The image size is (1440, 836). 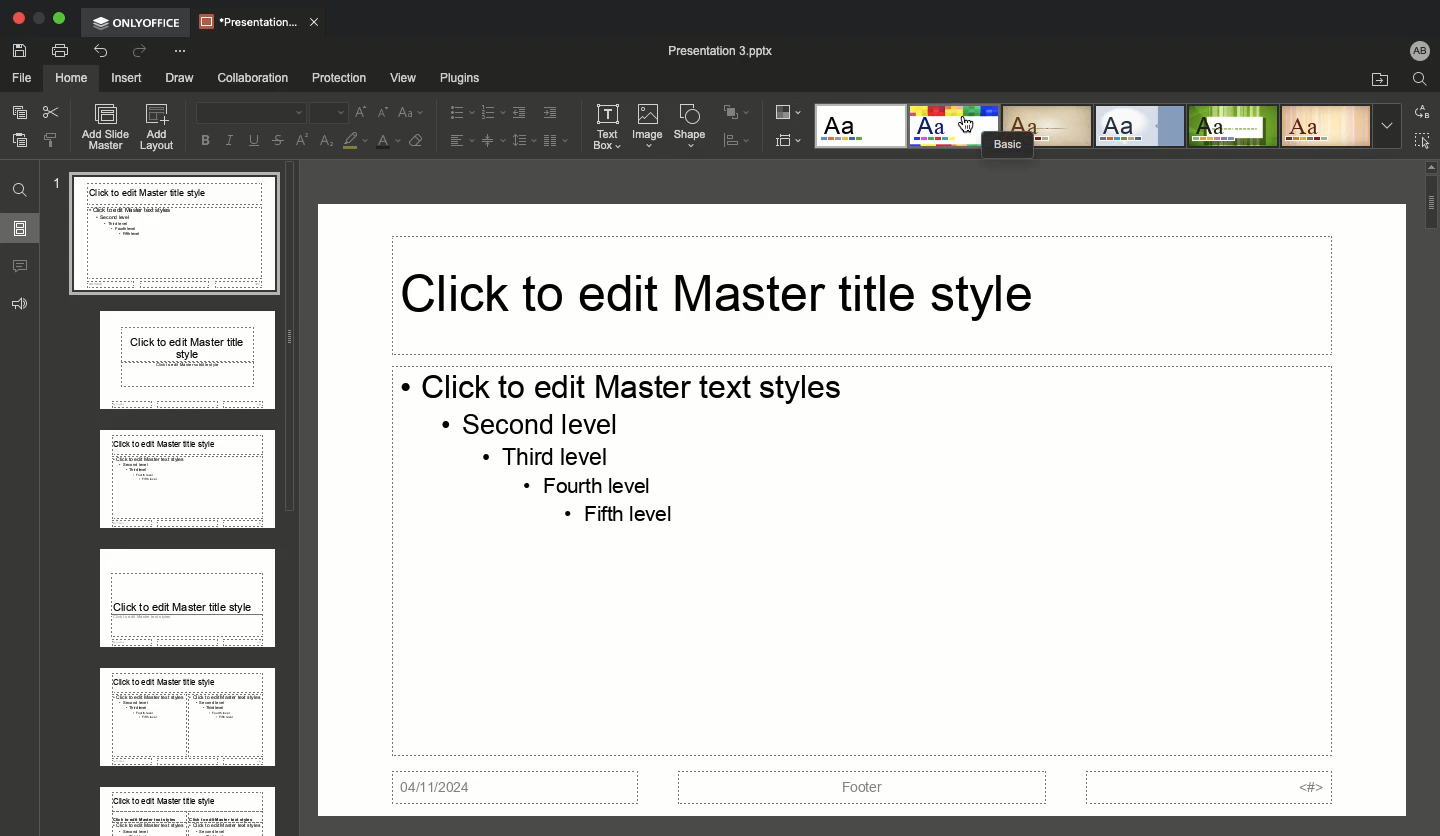 I want to click on Restore, so click(x=38, y=20).